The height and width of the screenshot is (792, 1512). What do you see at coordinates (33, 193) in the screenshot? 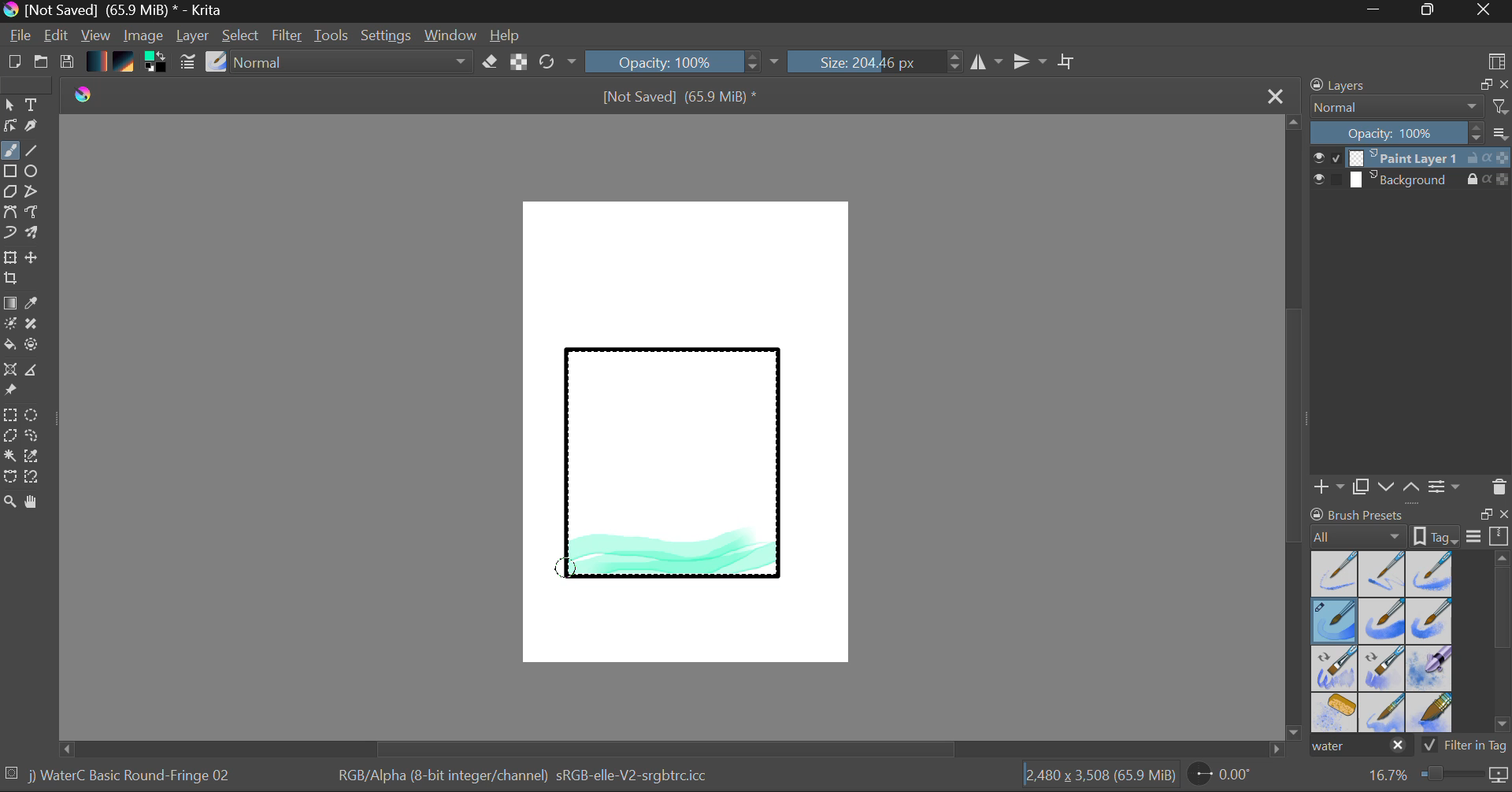
I see `Polyline` at bounding box center [33, 193].